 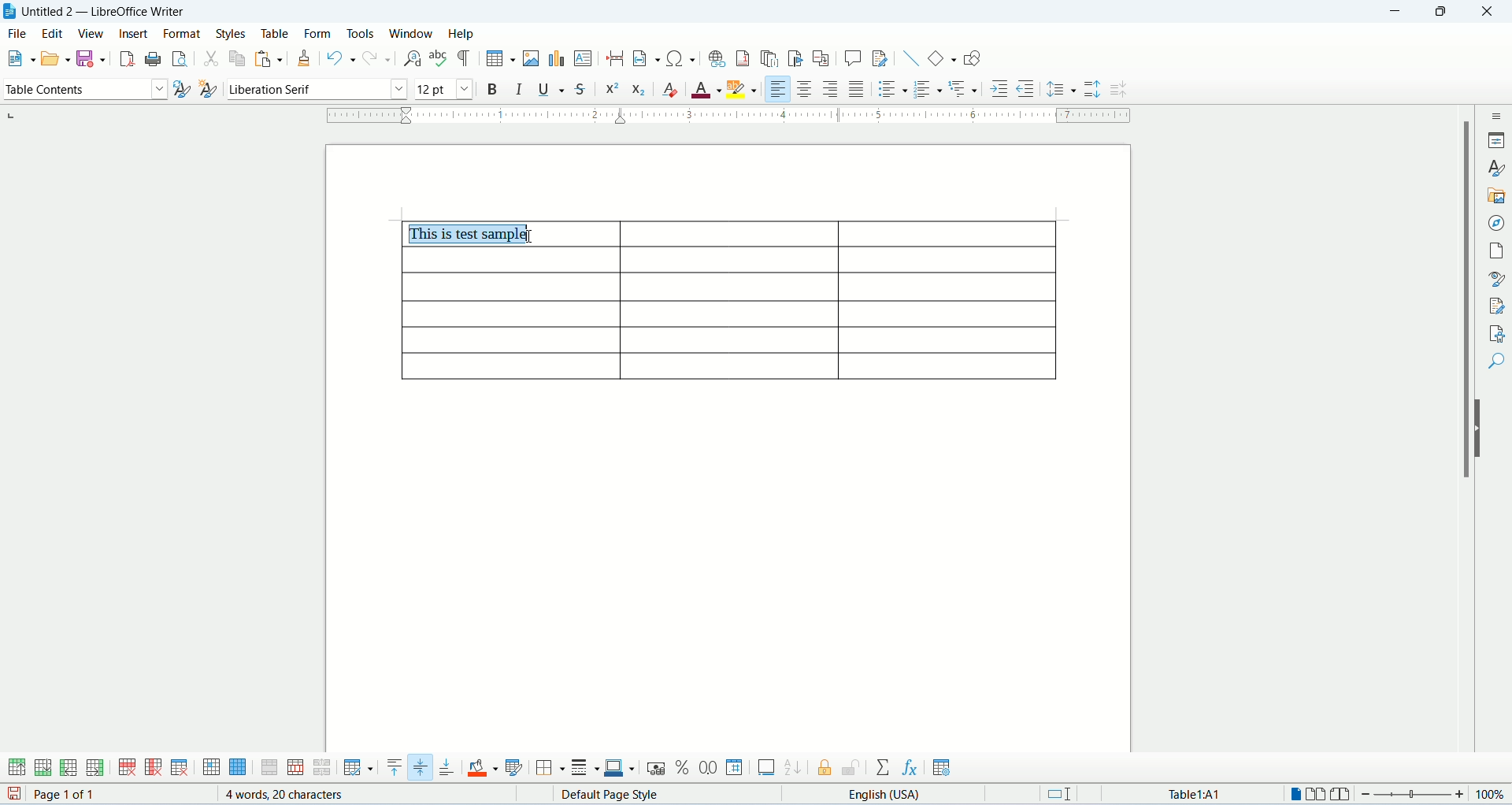 I want to click on underline, so click(x=551, y=90).